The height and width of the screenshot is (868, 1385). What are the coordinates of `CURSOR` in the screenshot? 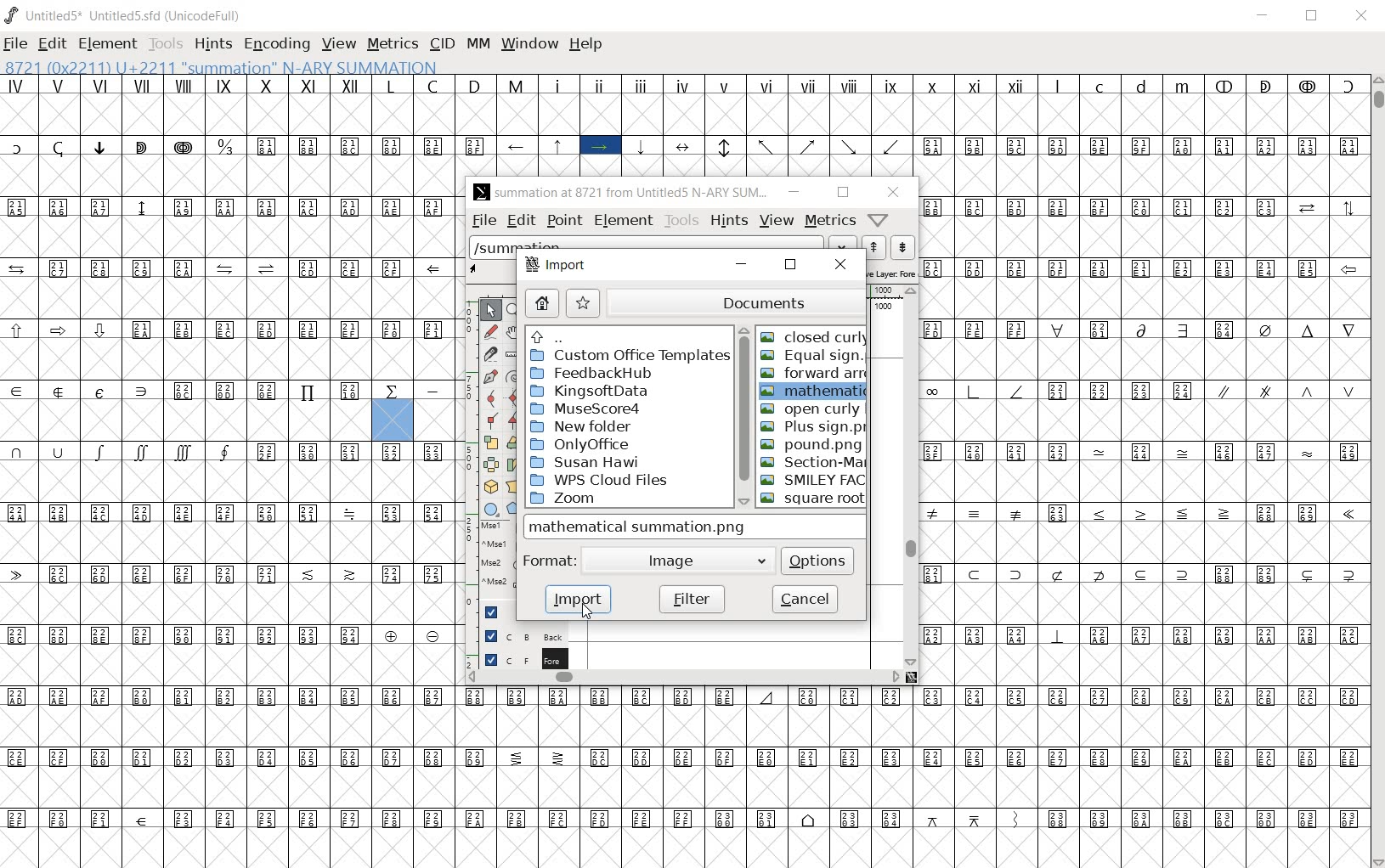 It's located at (875, 57).